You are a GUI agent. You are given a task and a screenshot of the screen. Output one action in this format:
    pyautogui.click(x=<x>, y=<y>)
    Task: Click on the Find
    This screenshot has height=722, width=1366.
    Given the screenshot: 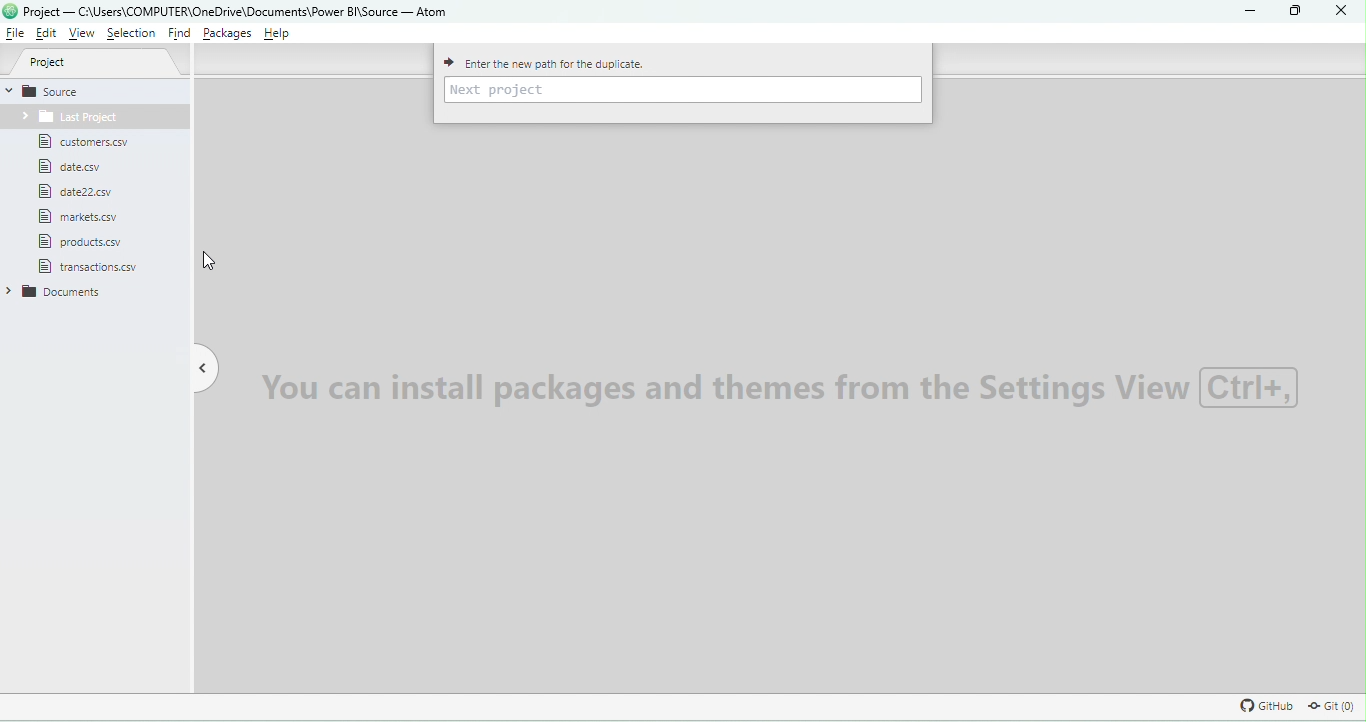 What is the action you would take?
    pyautogui.click(x=176, y=33)
    